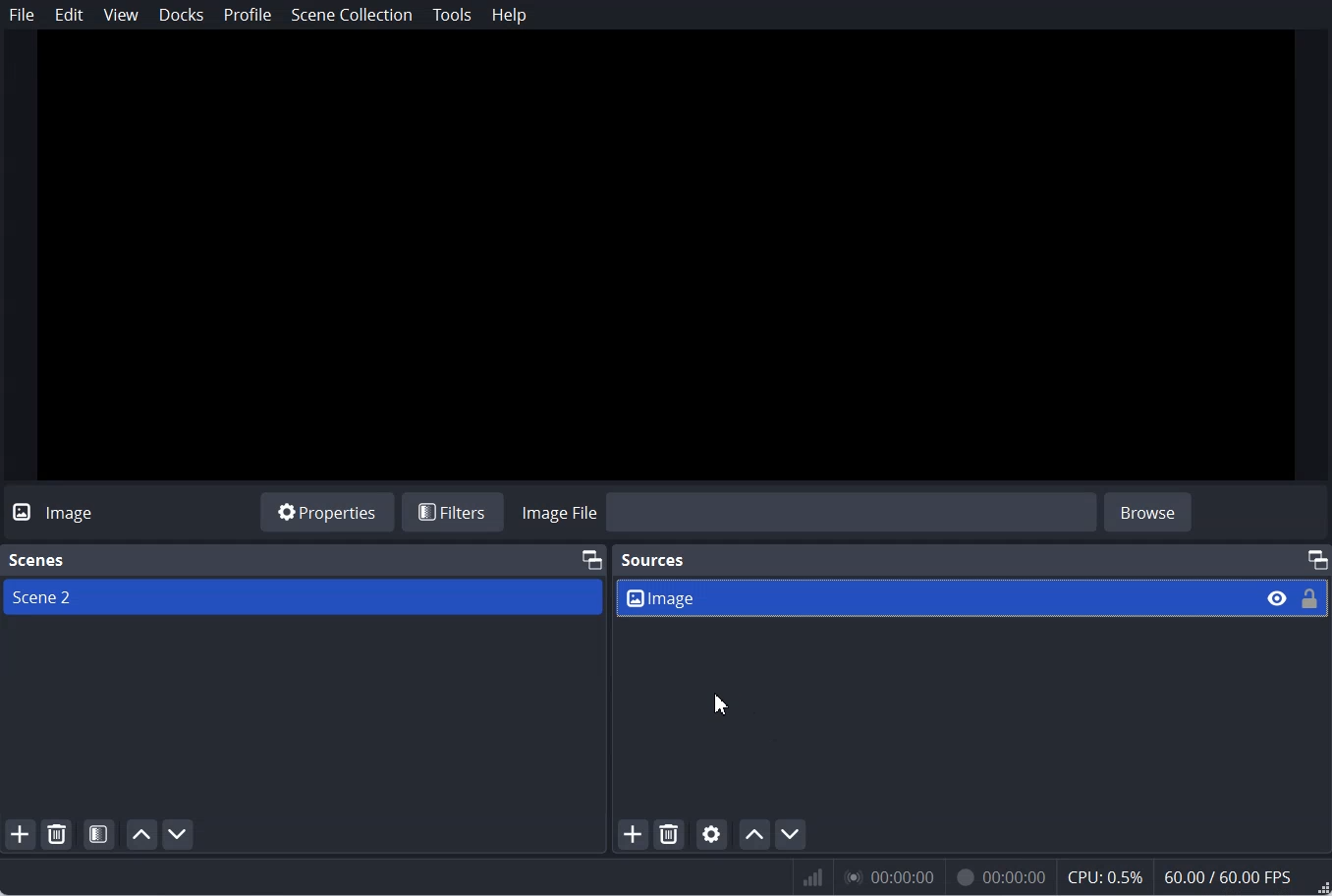 The image size is (1332, 896). Describe the element at coordinates (634, 833) in the screenshot. I see `Add Source` at that location.